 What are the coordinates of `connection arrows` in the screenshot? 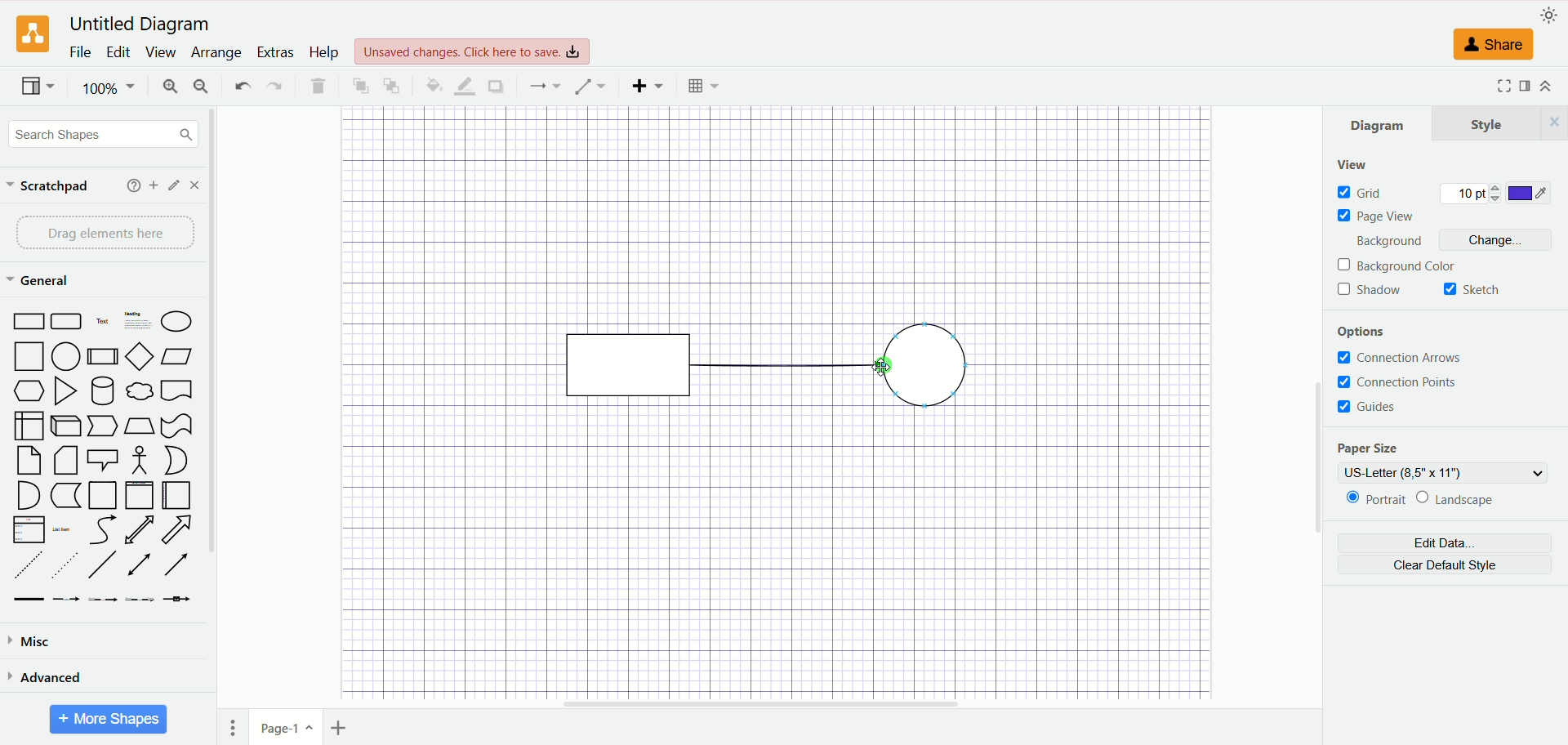 It's located at (1399, 358).